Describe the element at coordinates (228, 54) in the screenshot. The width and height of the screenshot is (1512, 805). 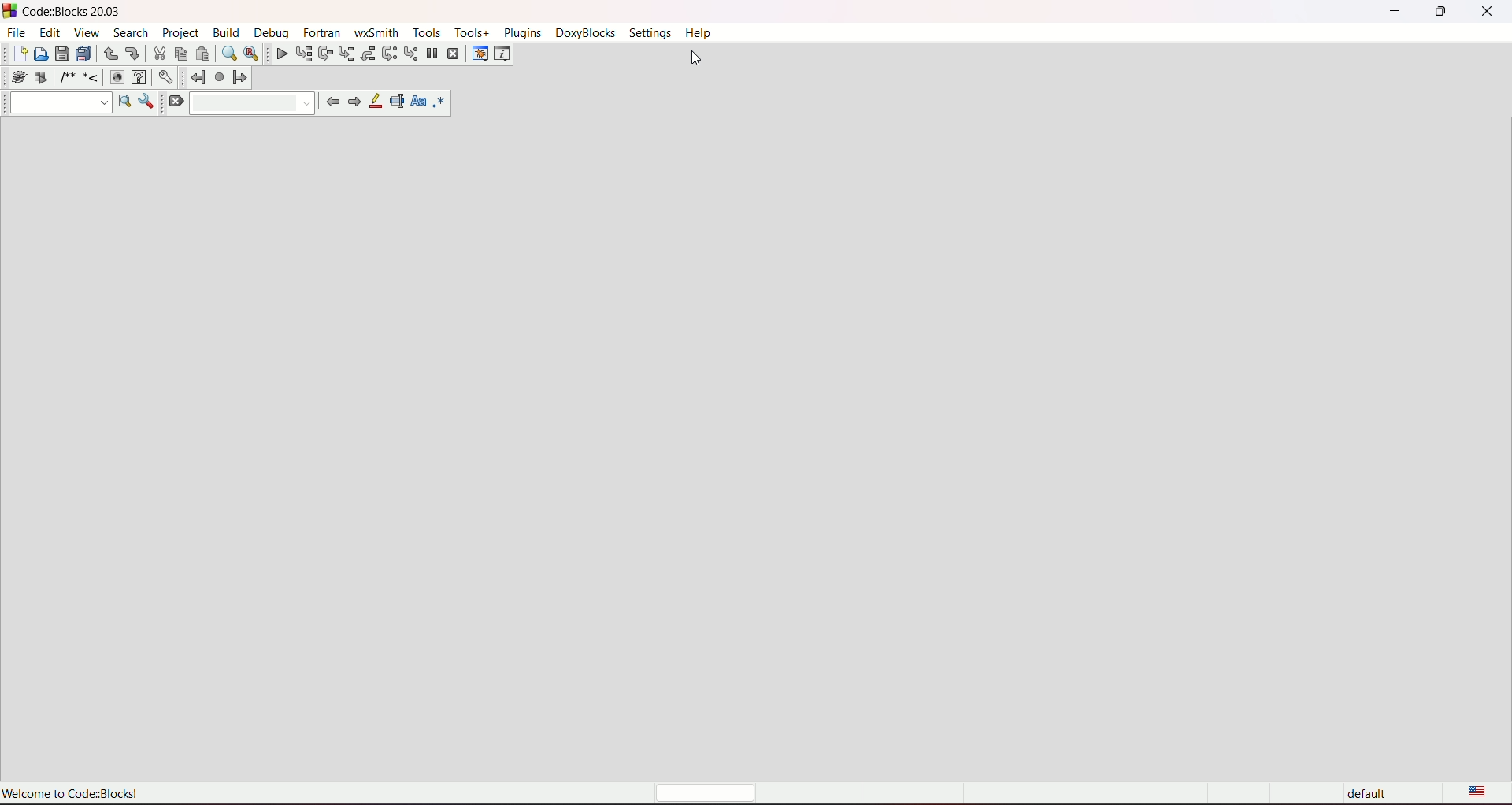
I see `find` at that location.